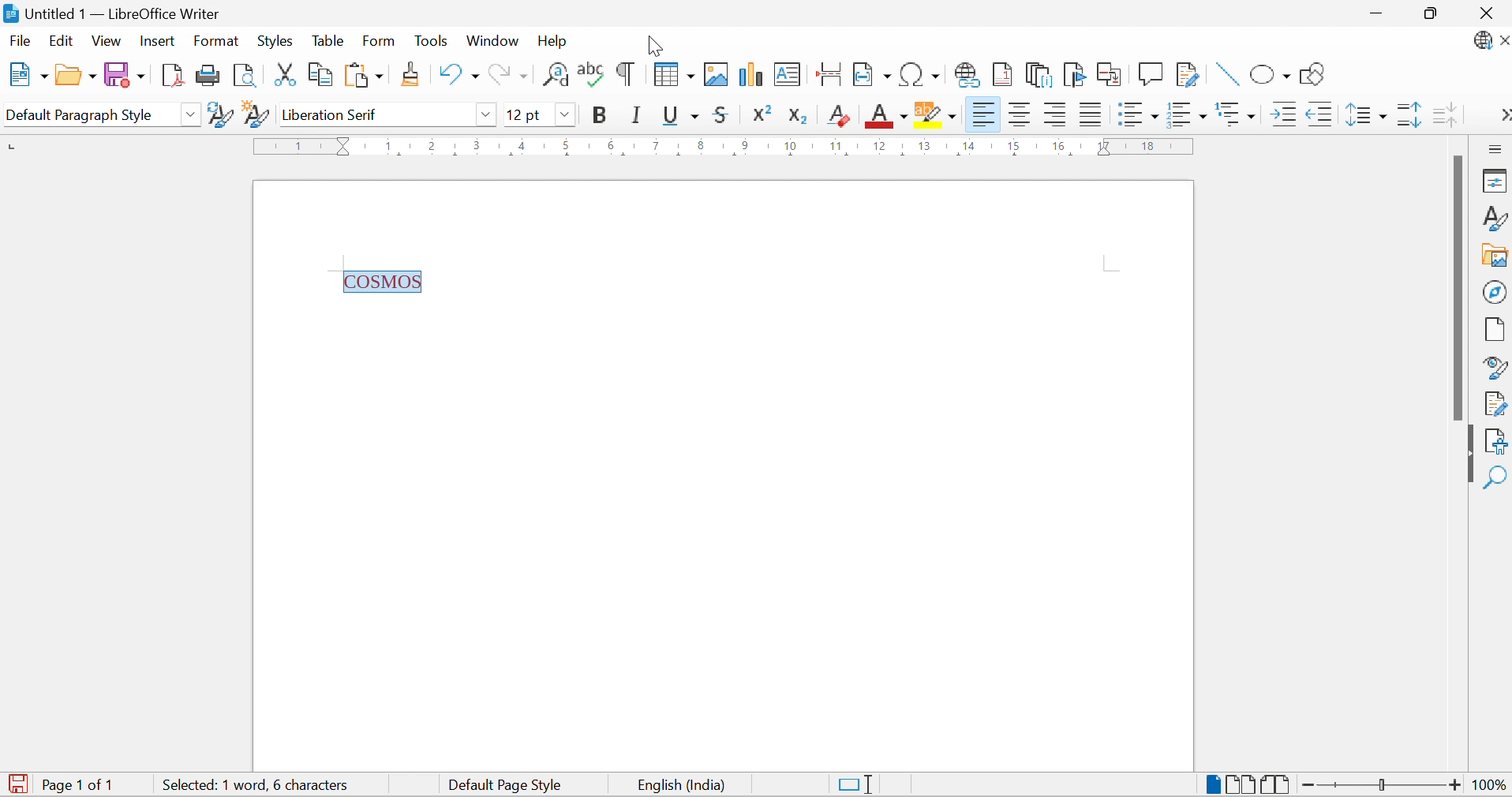 The width and height of the screenshot is (1512, 797). Describe the element at coordinates (680, 117) in the screenshot. I see `Underline` at that location.